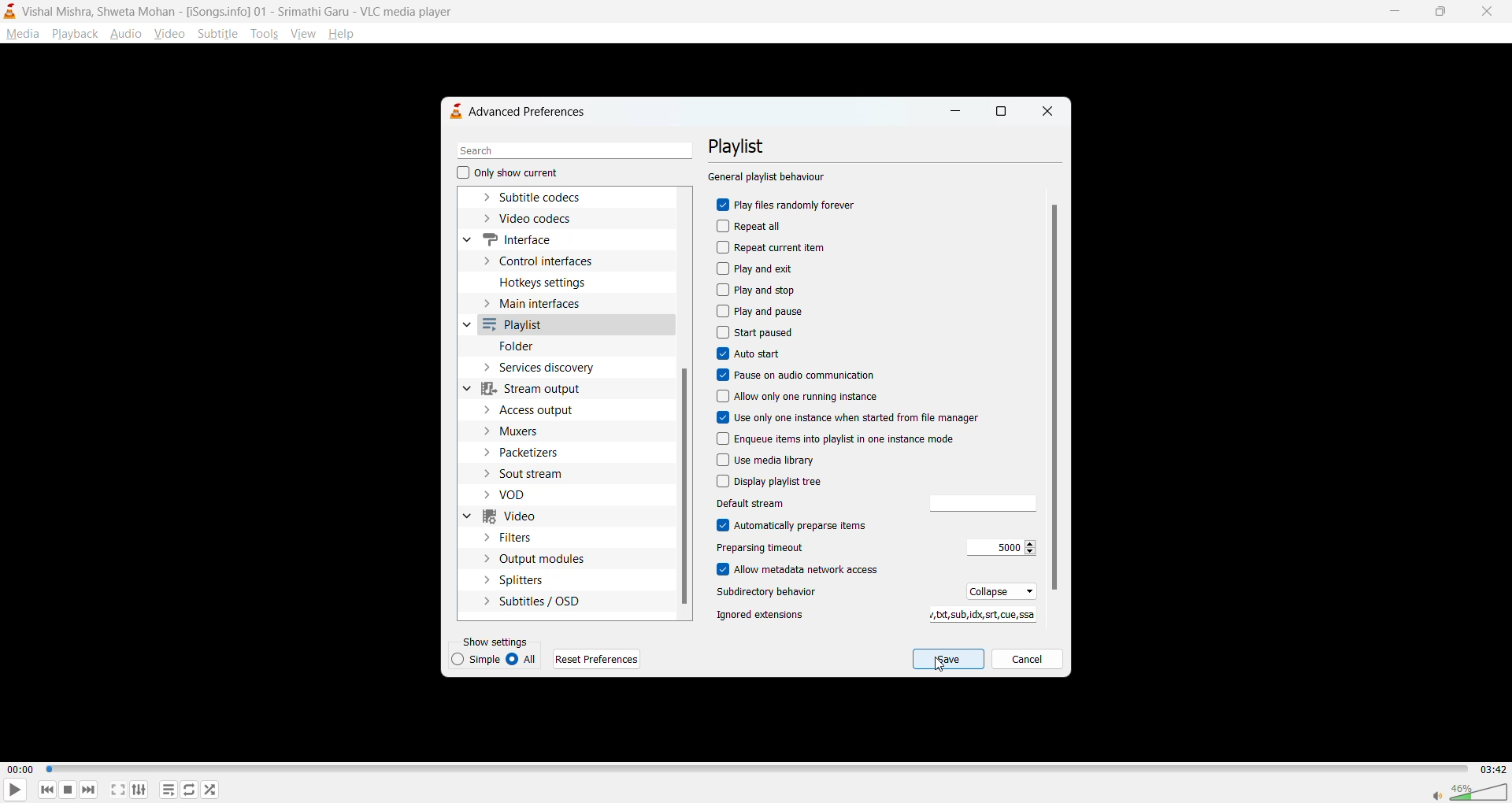  I want to click on interface, so click(519, 238).